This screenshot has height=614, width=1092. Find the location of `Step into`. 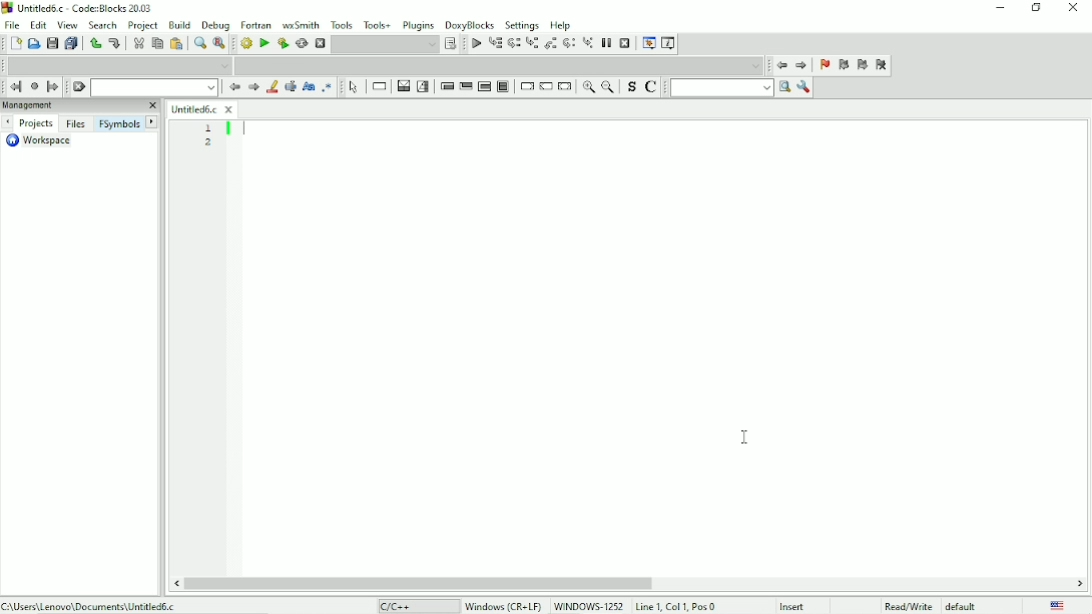

Step into is located at coordinates (532, 44).